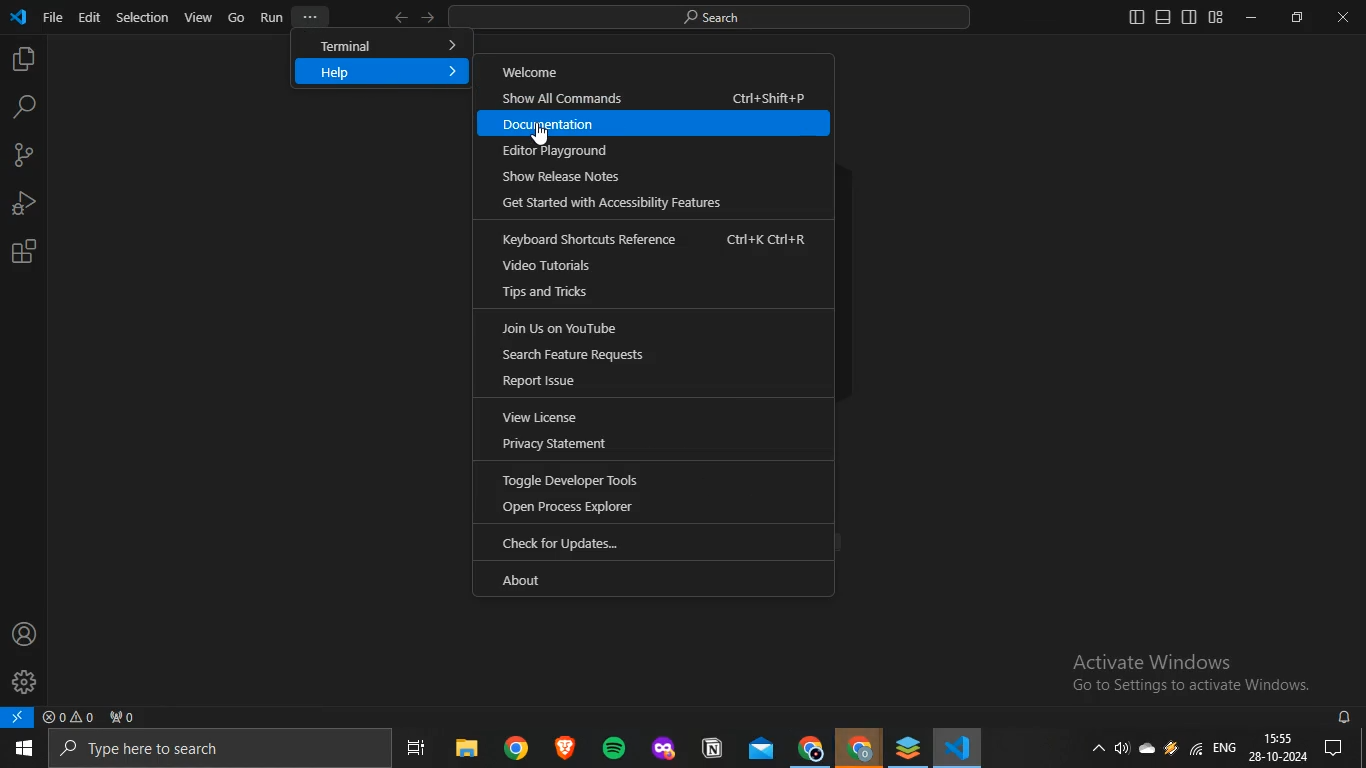 This screenshot has width=1366, height=768. Describe the element at coordinates (651, 544) in the screenshot. I see `Check for Updates...` at that location.